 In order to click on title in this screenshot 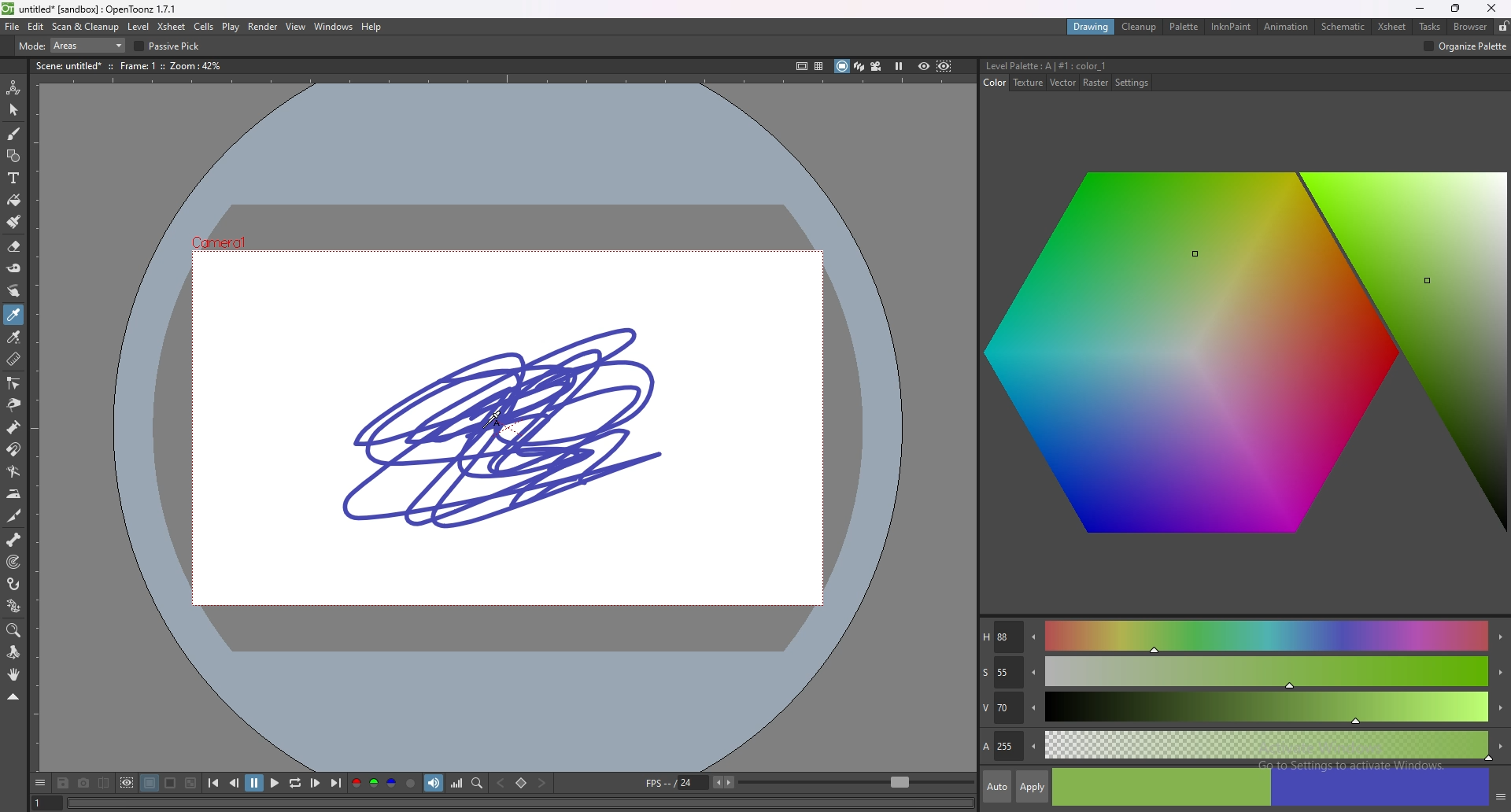, I will do `click(91, 8)`.